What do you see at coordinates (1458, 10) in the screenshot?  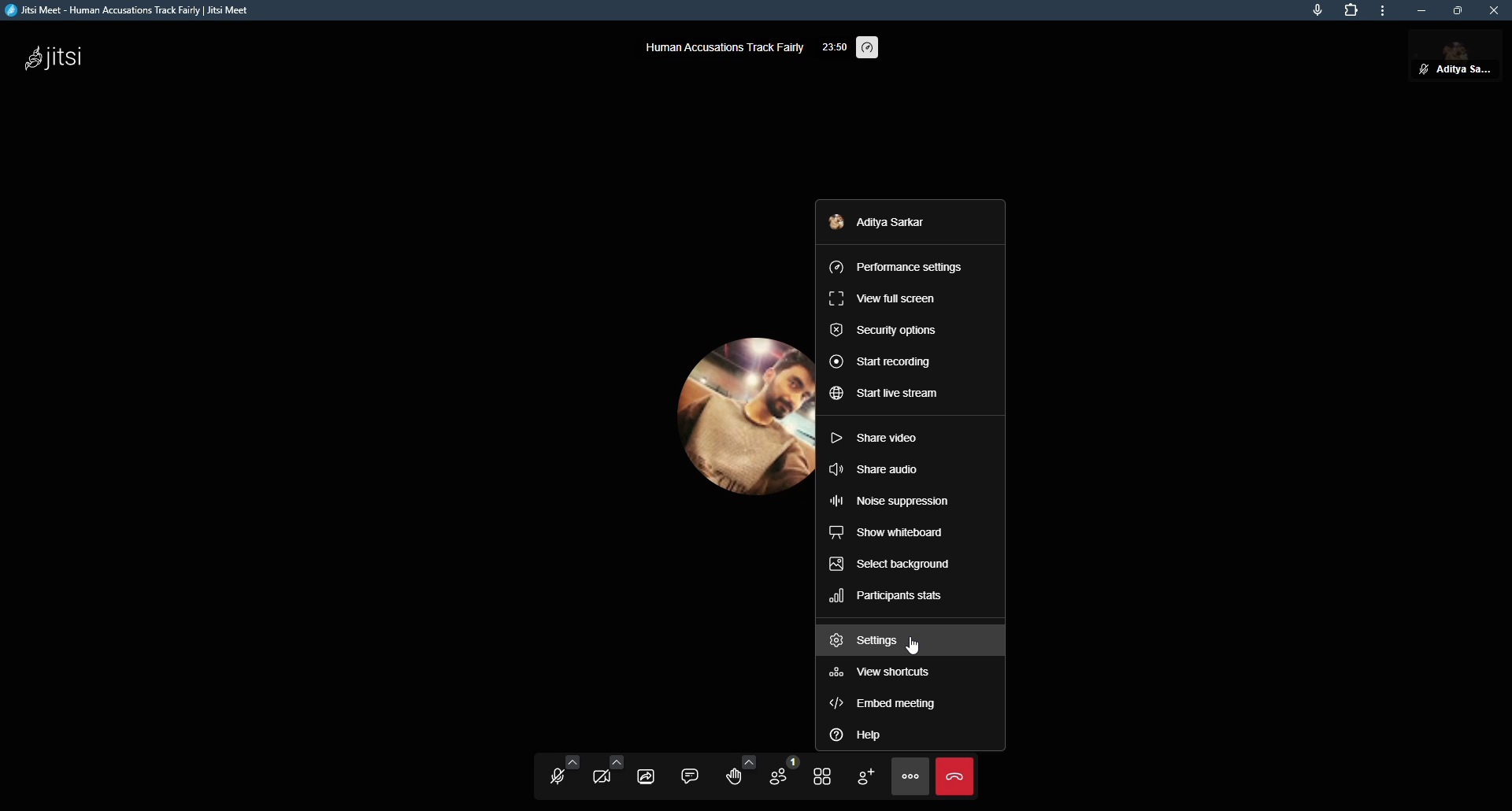 I see `maximize` at bounding box center [1458, 10].